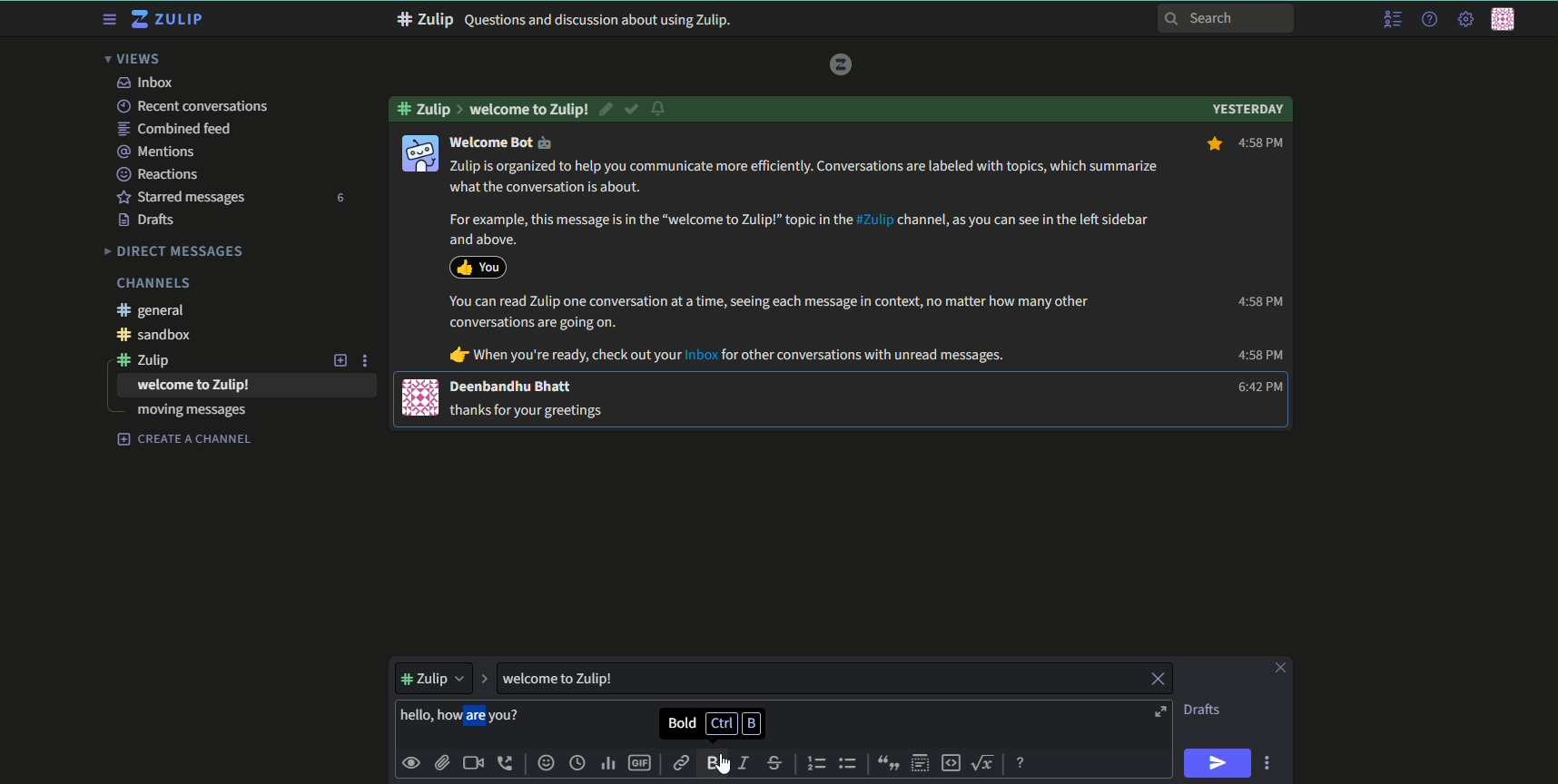  Describe the element at coordinates (513, 386) in the screenshot. I see `Deenbandhu Bhatt` at that location.